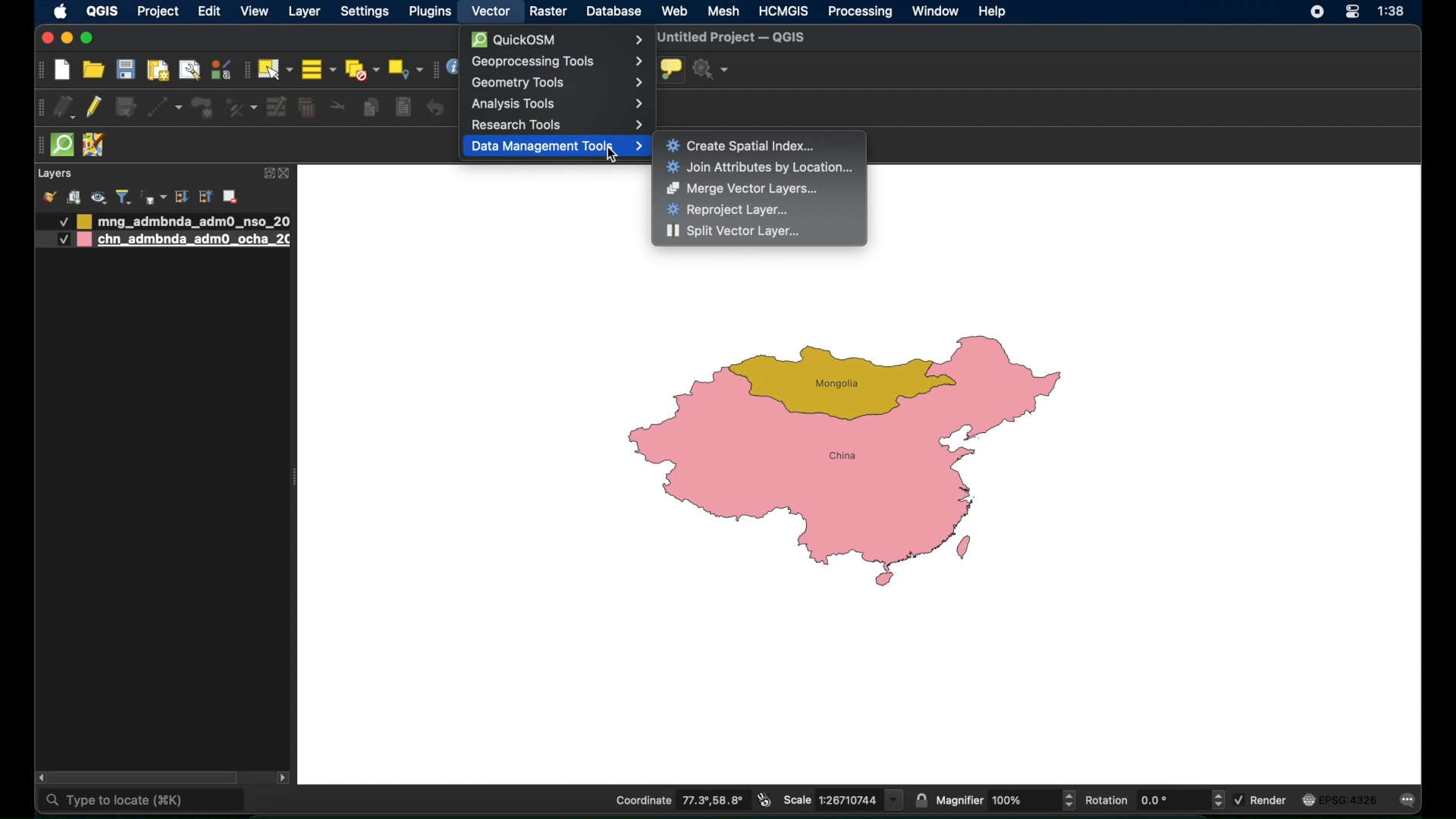  I want to click on select by location, so click(404, 70).